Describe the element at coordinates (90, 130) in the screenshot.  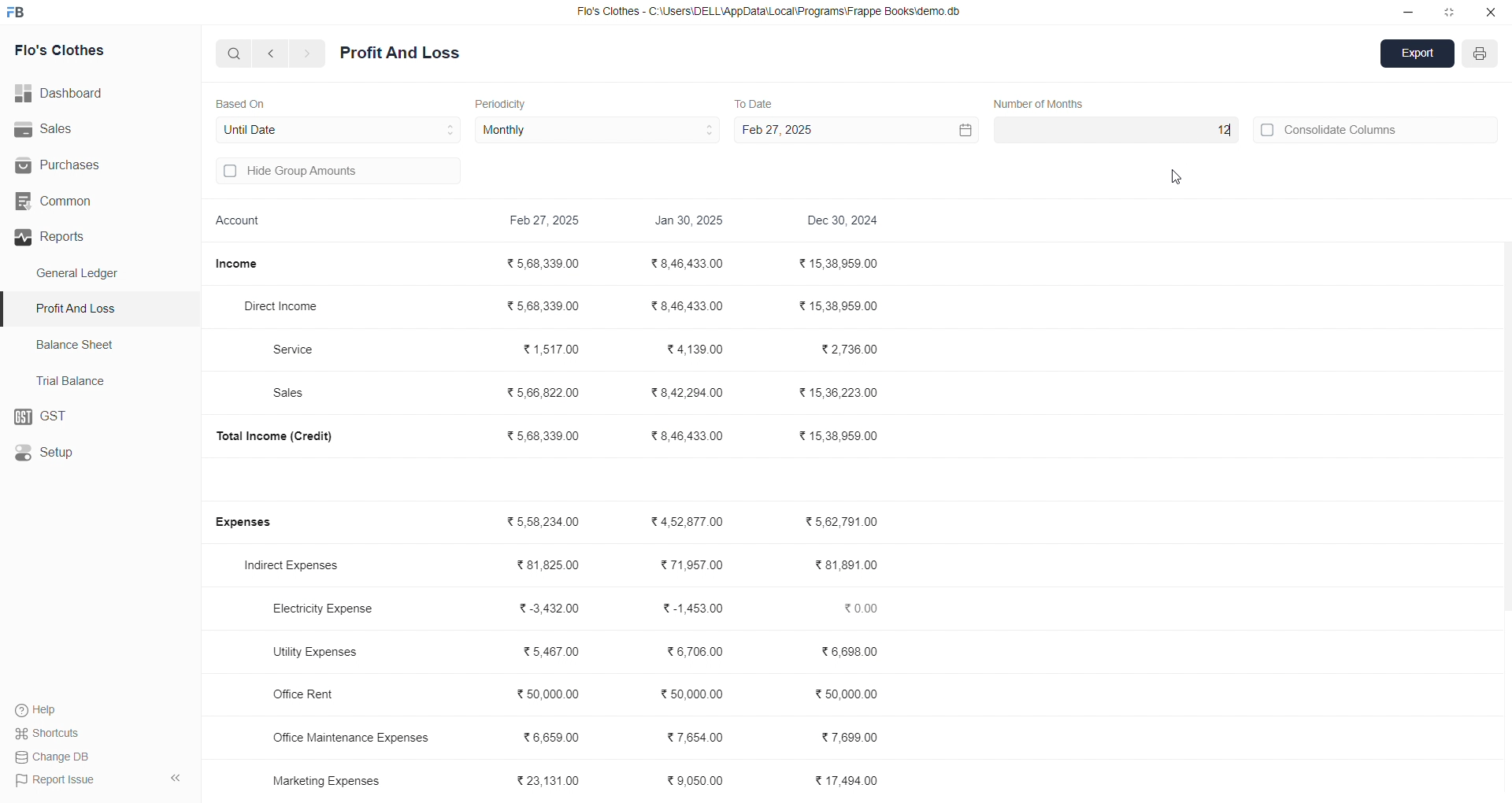
I see `Sales` at that location.